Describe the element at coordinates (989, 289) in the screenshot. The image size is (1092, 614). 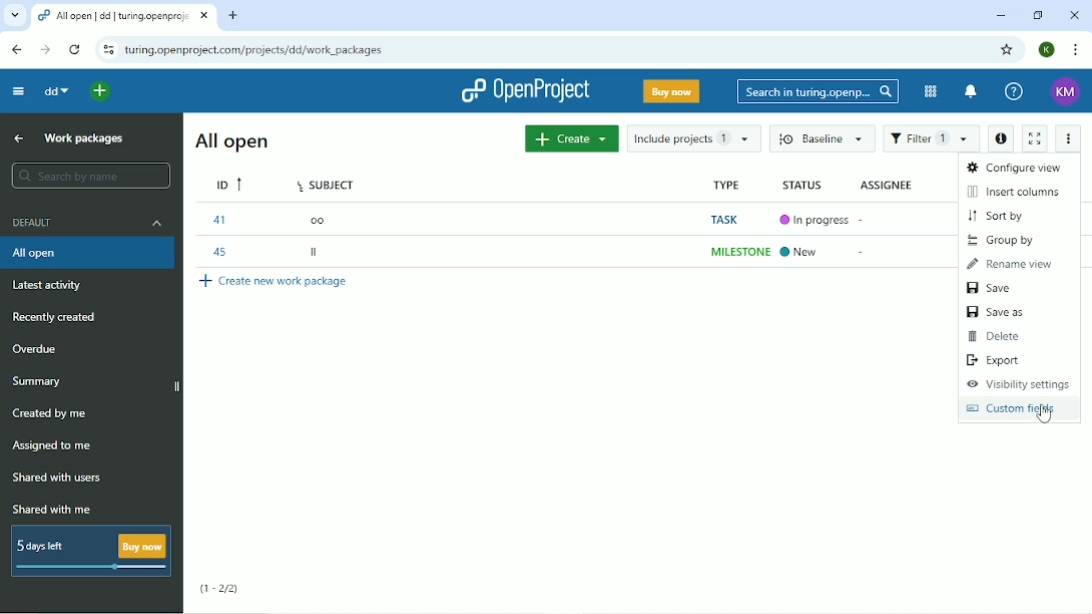
I see `Save` at that location.